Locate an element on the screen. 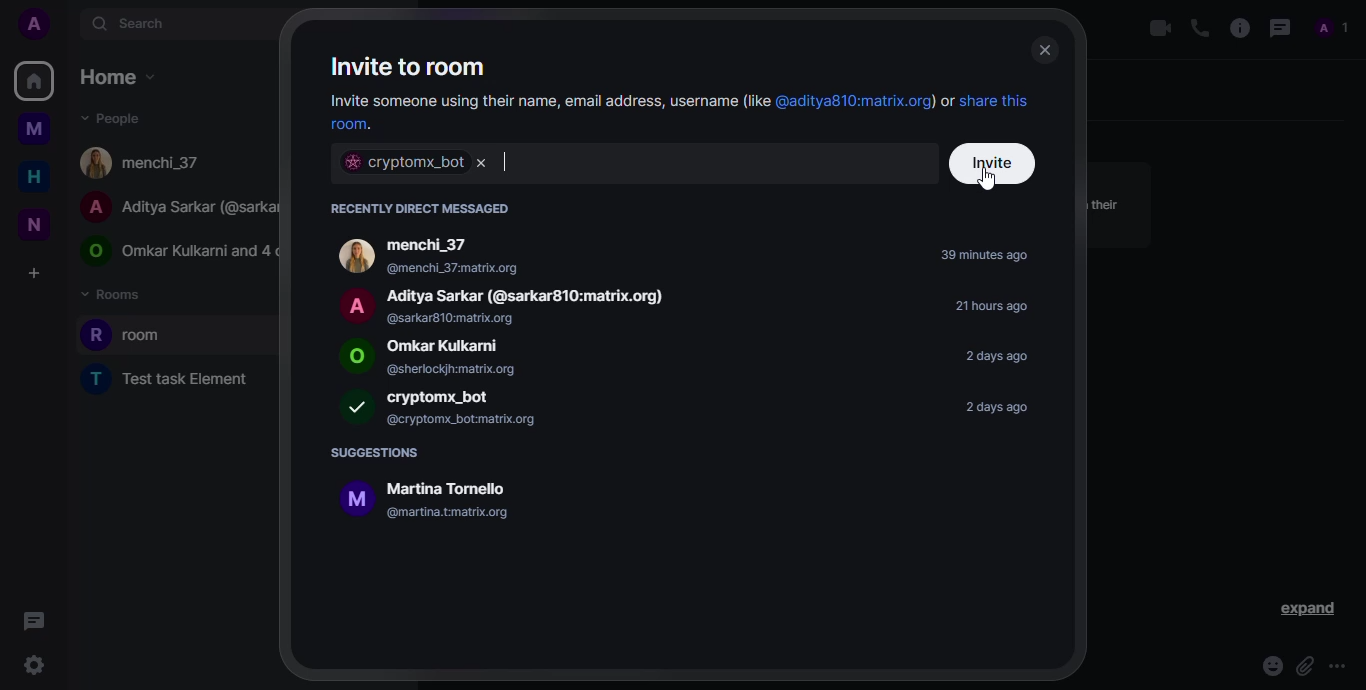 The height and width of the screenshot is (690, 1366). people is located at coordinates (470, 344).